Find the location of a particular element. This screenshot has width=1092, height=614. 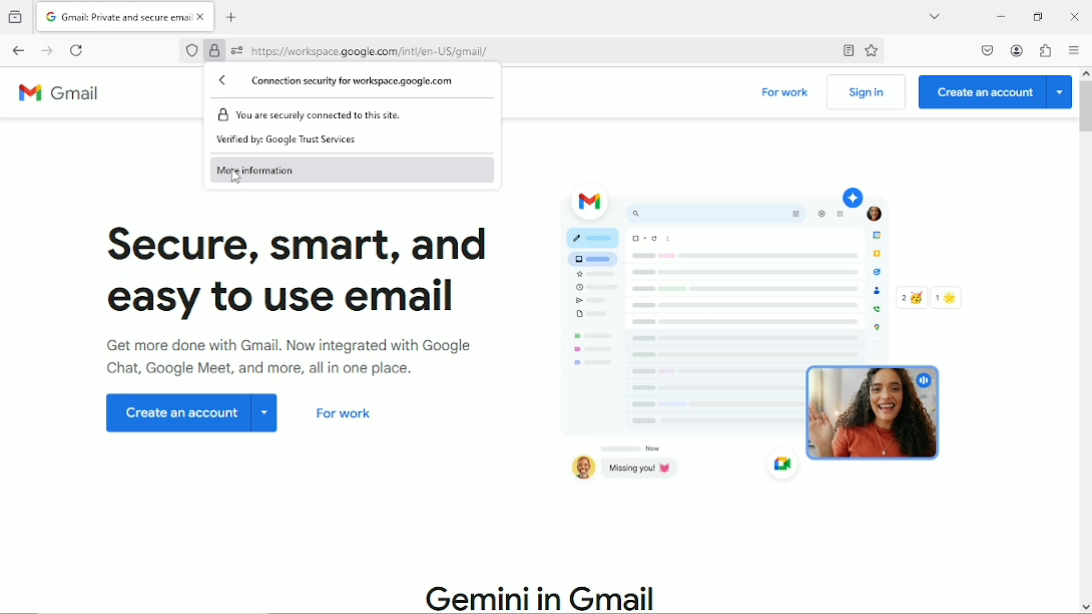

Bookmark this page is located at coordinates (871, 49).